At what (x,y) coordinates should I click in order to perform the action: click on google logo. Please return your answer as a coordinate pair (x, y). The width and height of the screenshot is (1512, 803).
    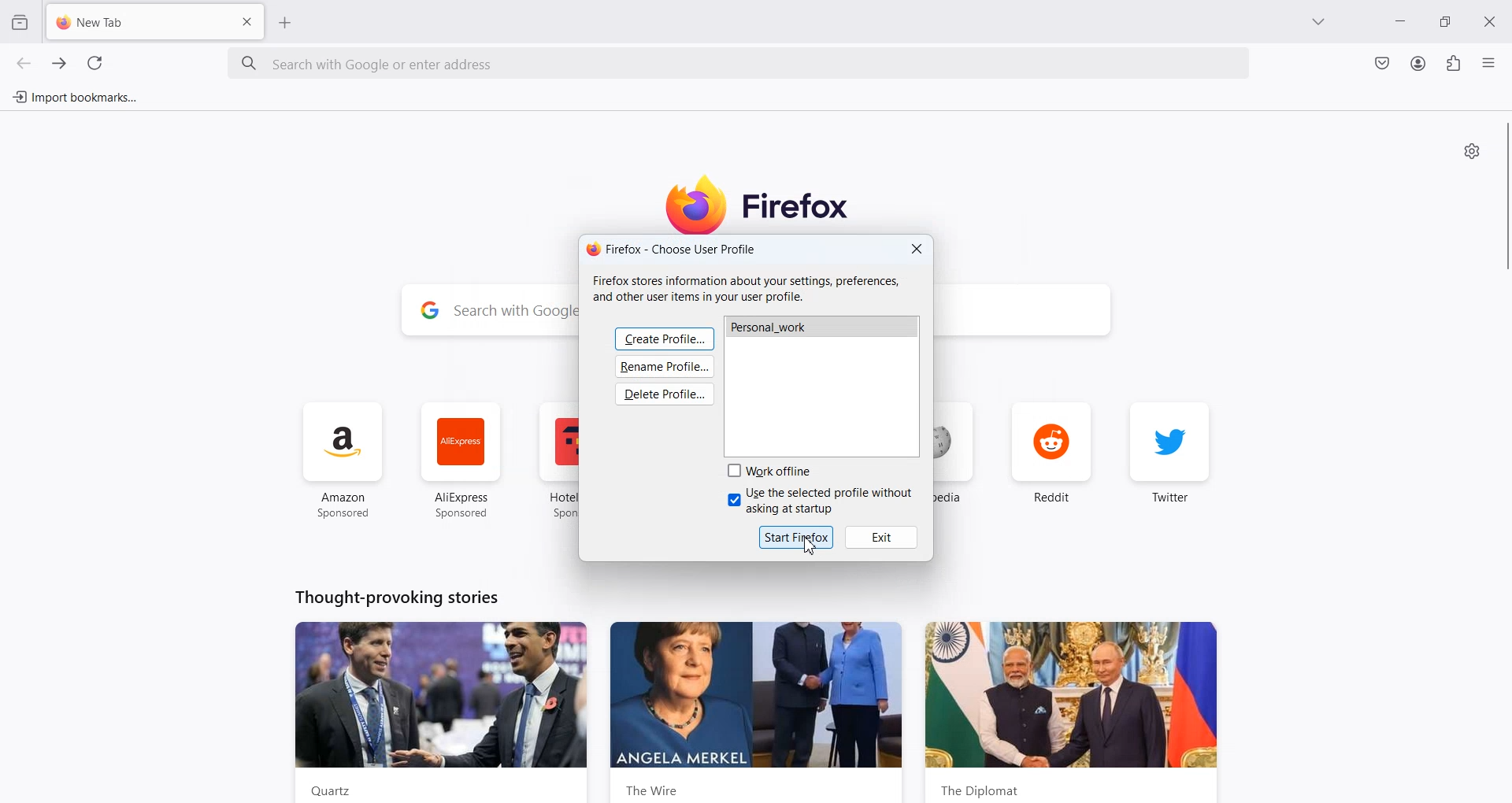
    Looking at the image, I should click on (428, 312).